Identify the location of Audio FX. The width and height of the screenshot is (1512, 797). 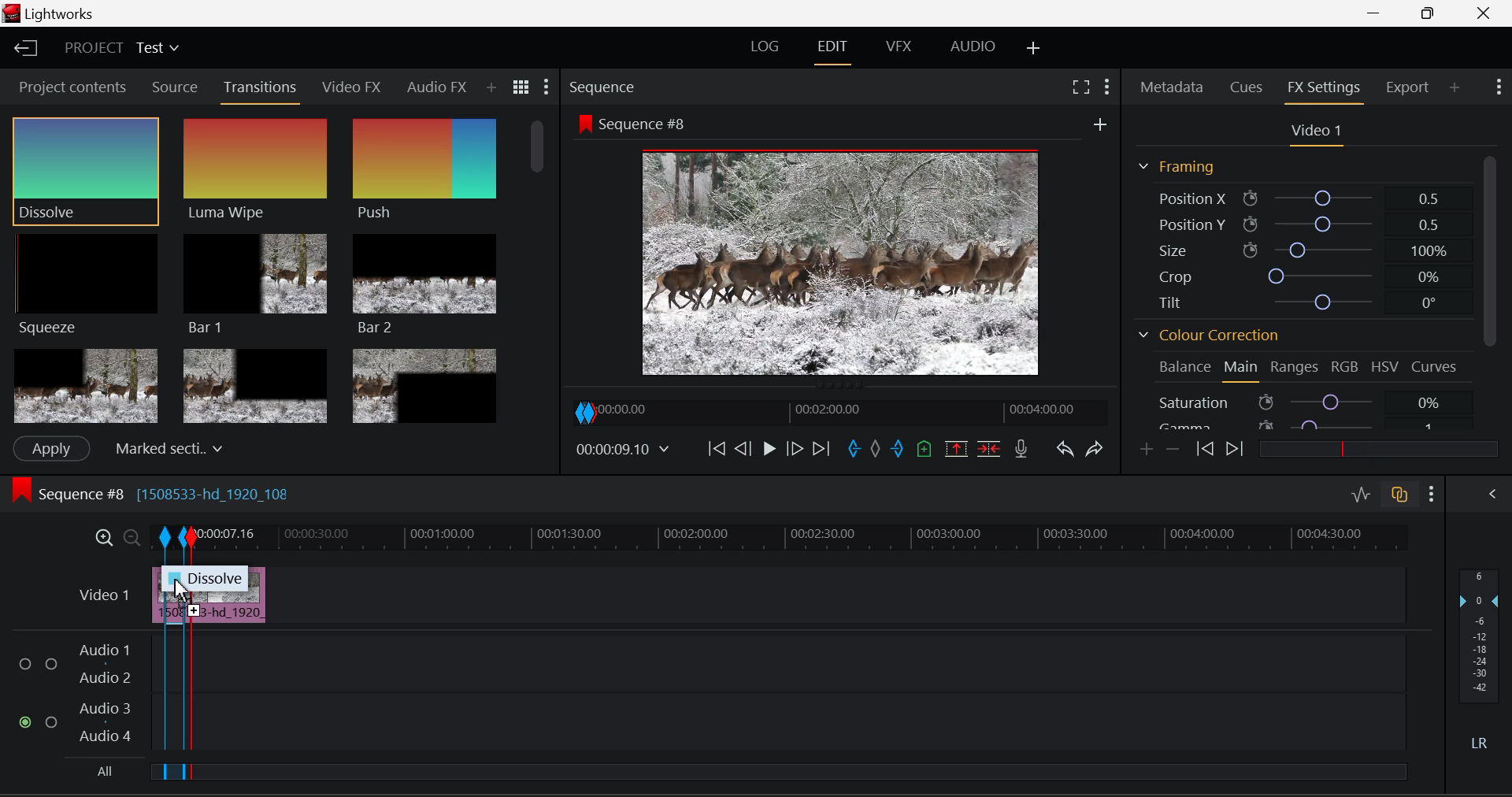
(437, 87).